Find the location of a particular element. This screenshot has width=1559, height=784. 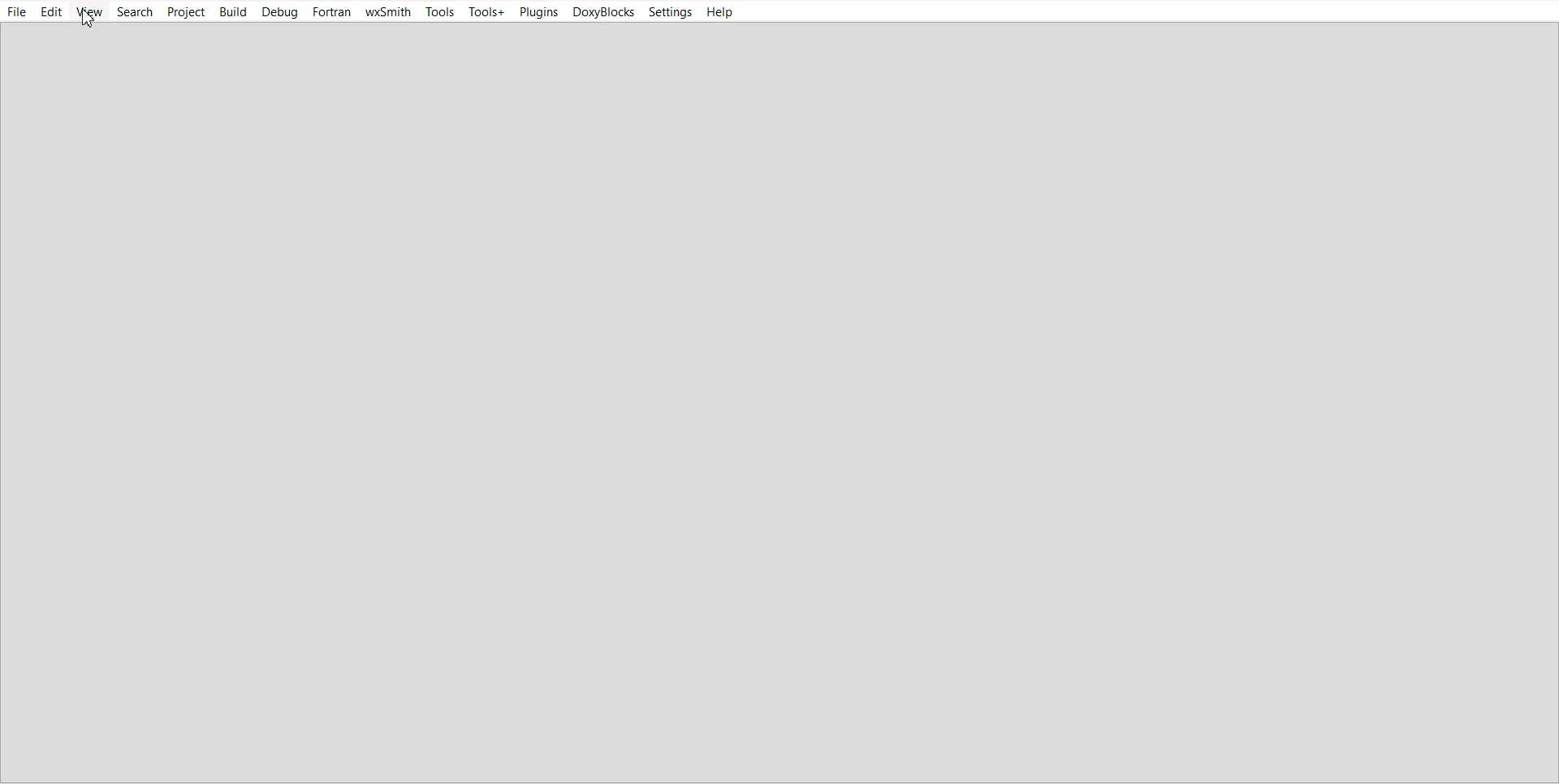

wxSmith is located at coordinates (388, 12).